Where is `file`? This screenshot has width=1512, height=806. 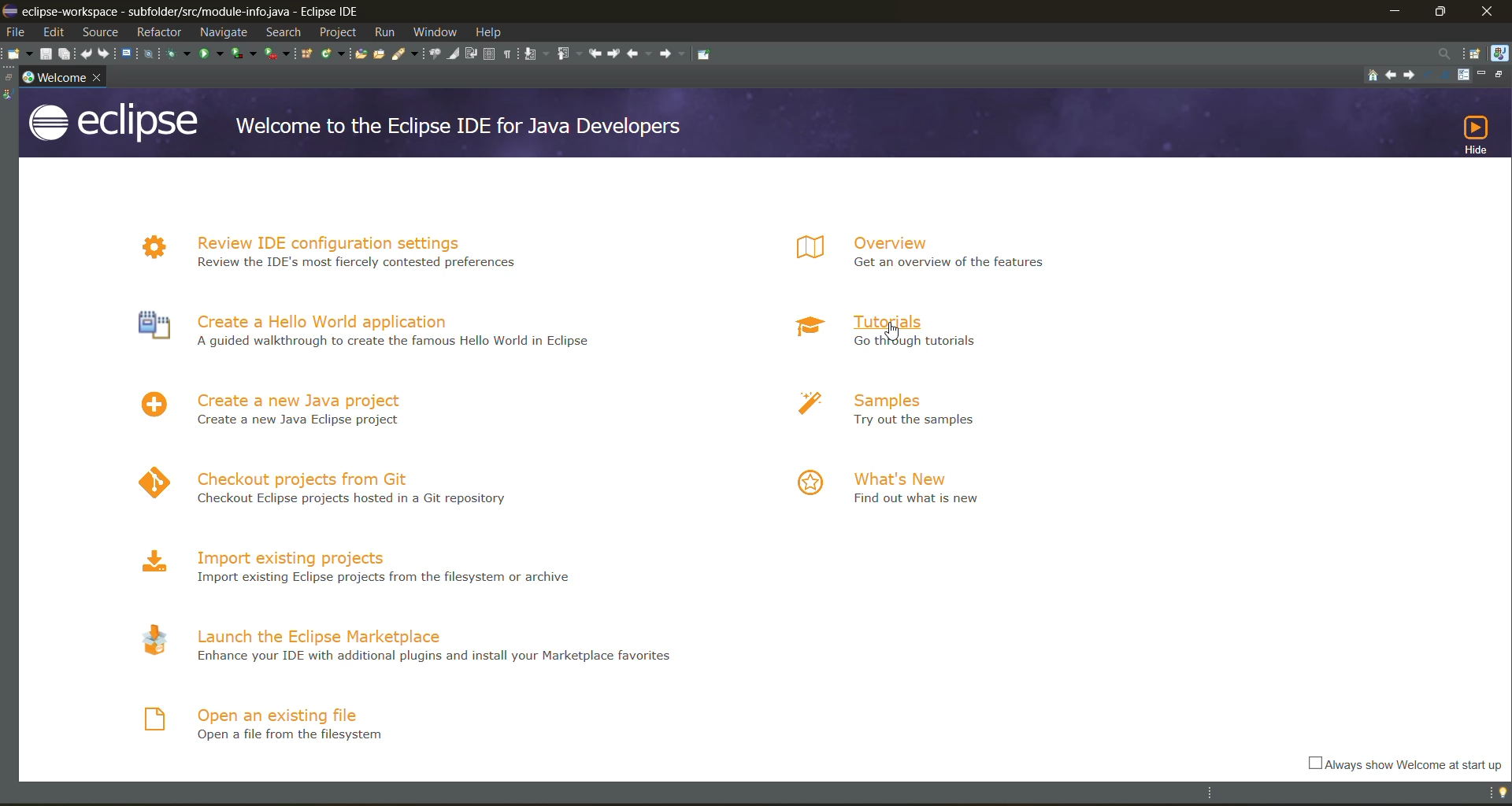
file is located at coordinates (14, 33).